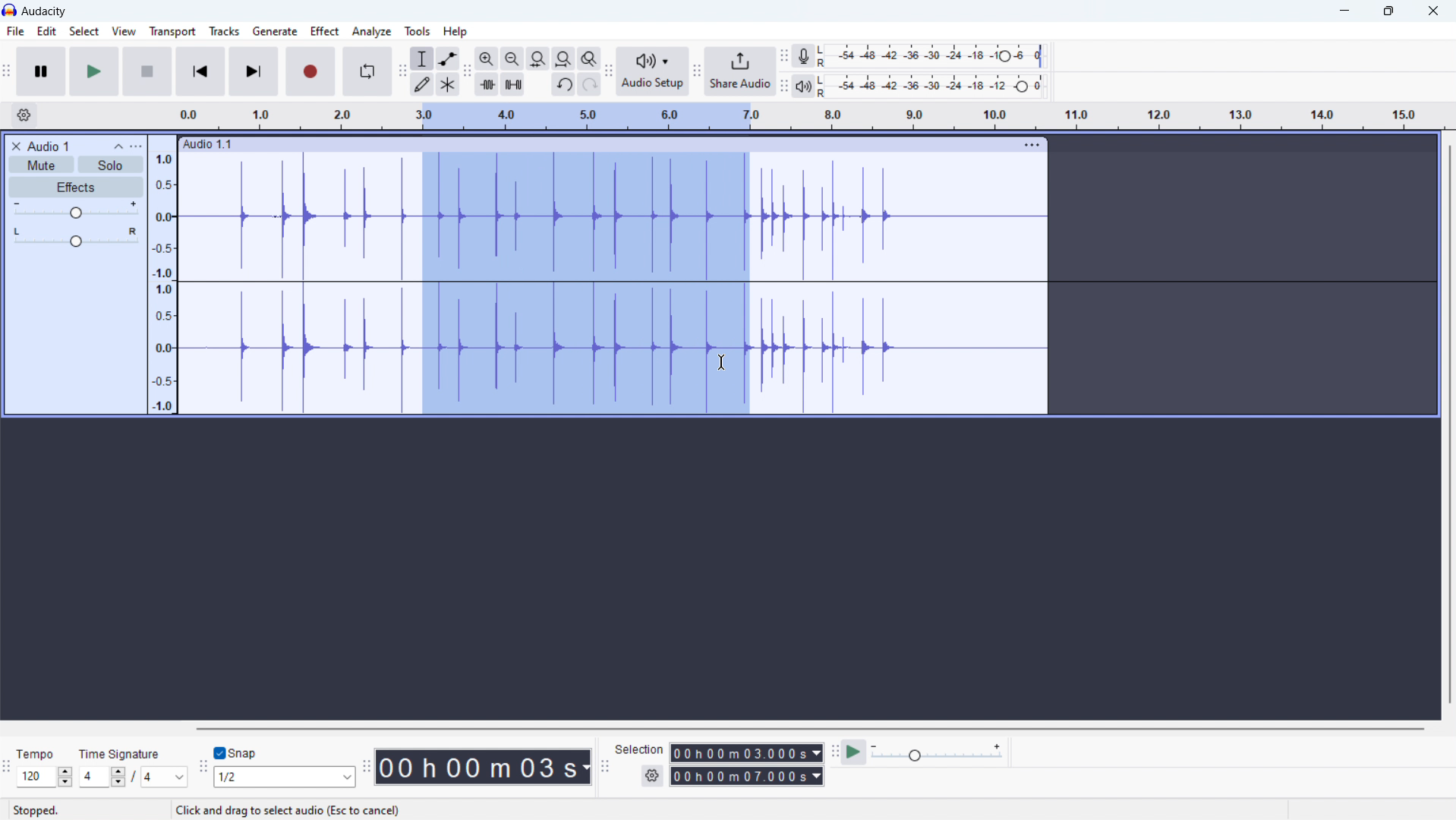 The height and width of the screenshot is (820, 1456). I want to click on record level, so click(938, 56).